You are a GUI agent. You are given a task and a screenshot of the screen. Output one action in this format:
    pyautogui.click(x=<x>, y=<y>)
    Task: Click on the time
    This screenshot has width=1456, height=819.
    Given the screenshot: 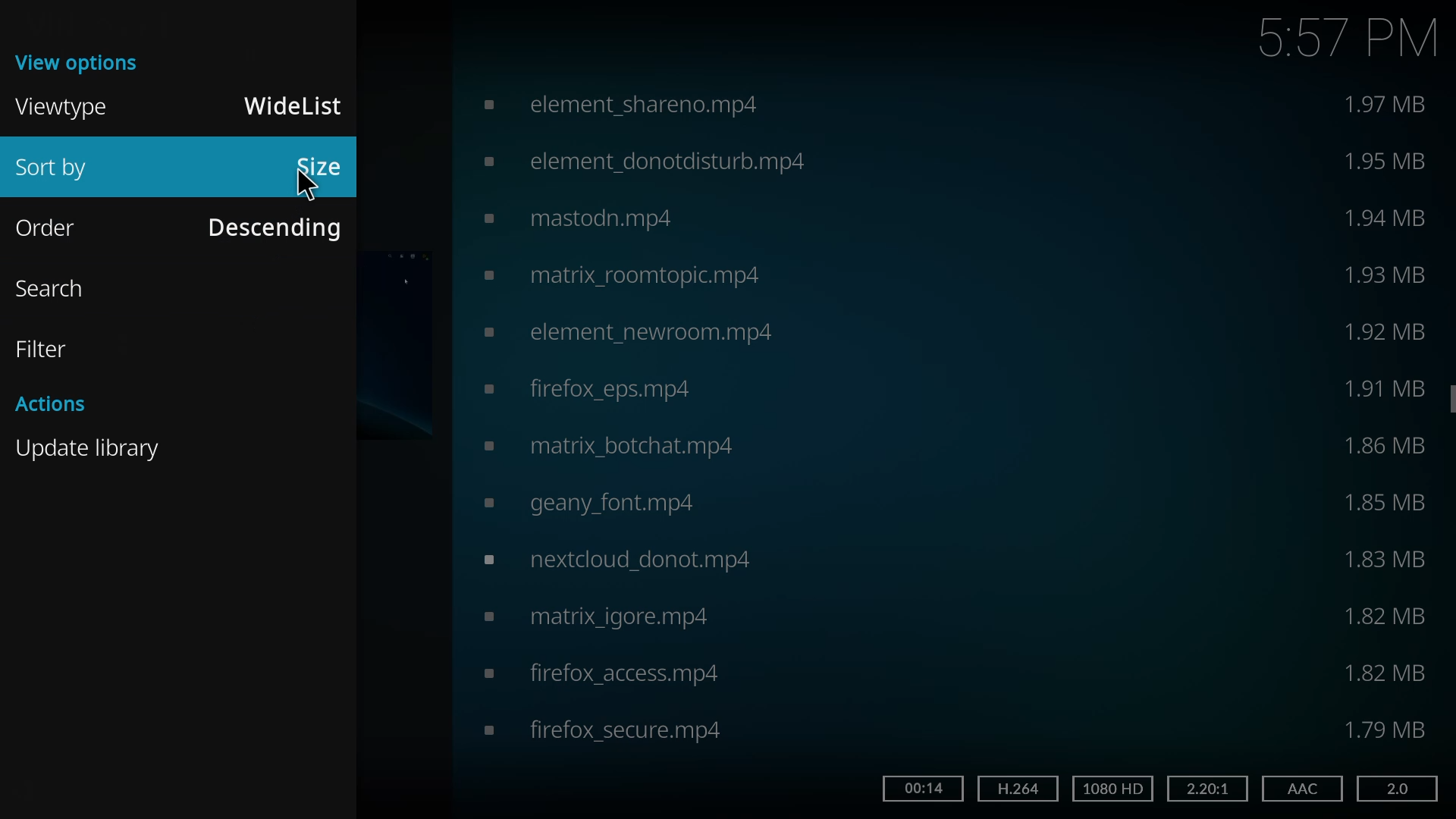 What is the action you would take?
    pyautogui.click(x=1348, y=36)
    